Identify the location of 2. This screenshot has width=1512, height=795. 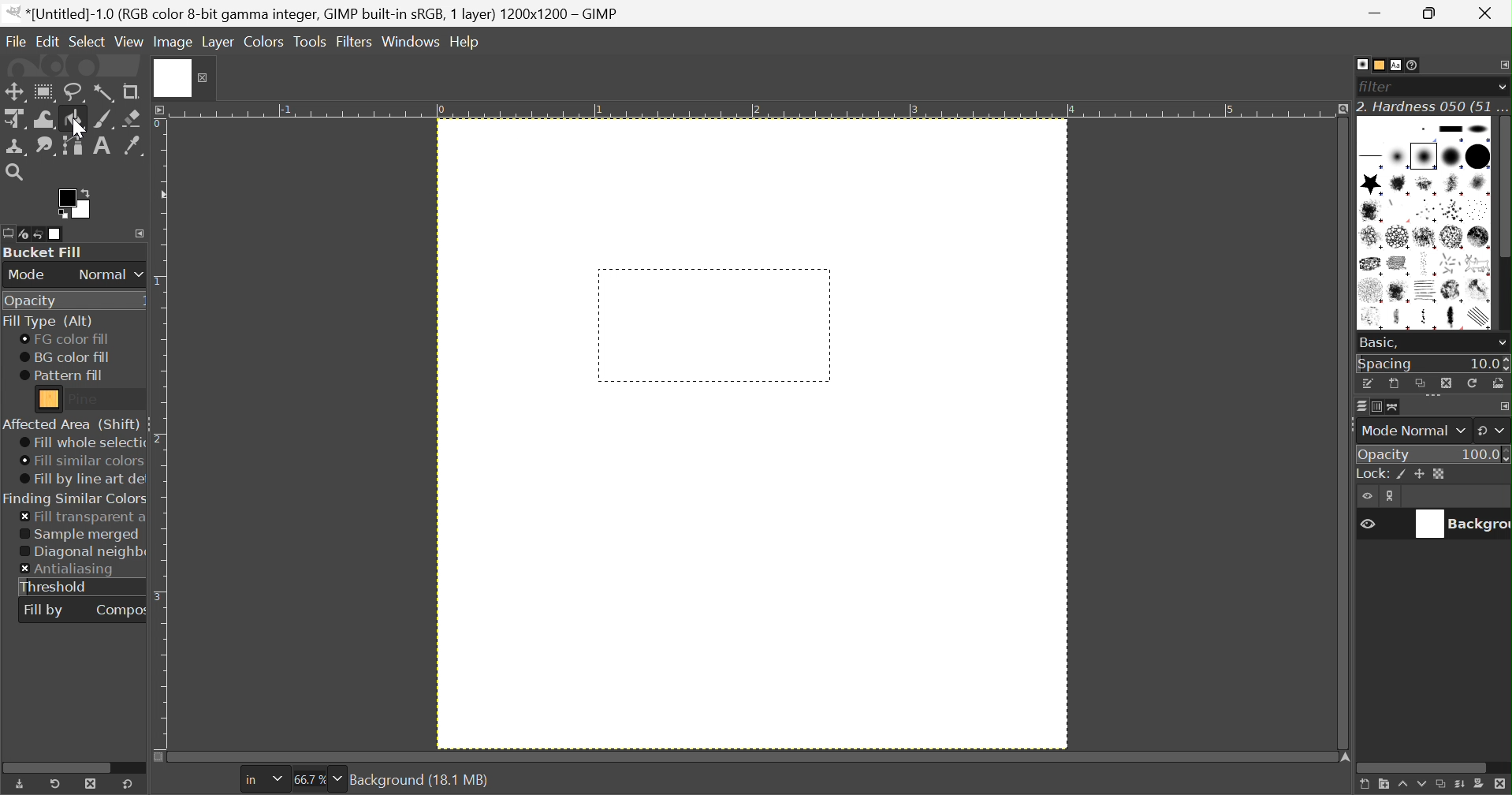
(160, 439).